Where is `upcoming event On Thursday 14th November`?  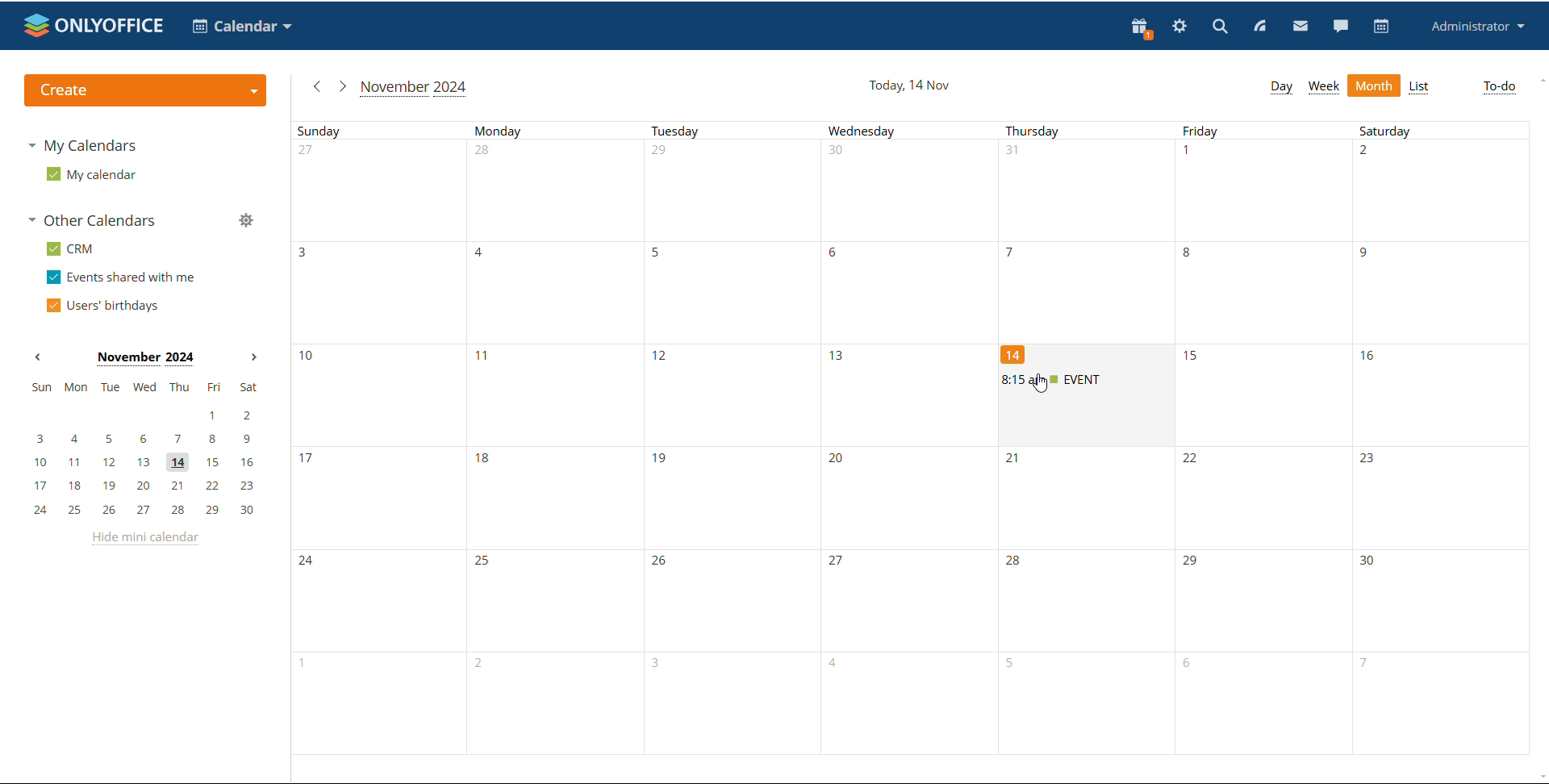
upcoming event On Thursday 14th November is located at coordinates (1087, 379).